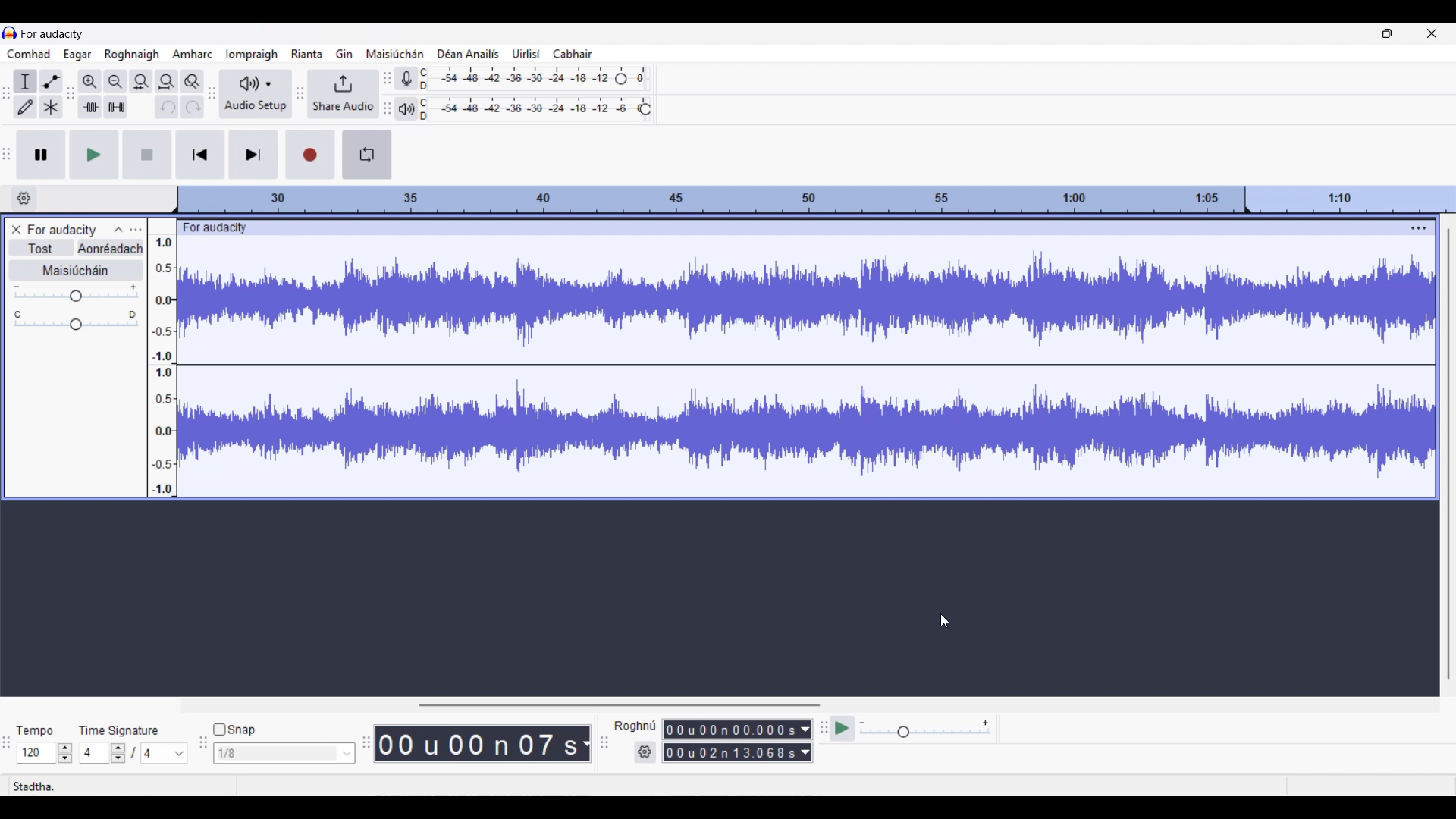 This screenshot has width=1456, height=819. Describe the element at coordinates (526, 53) in the screenshot. I see `Uirlisi` at that location.